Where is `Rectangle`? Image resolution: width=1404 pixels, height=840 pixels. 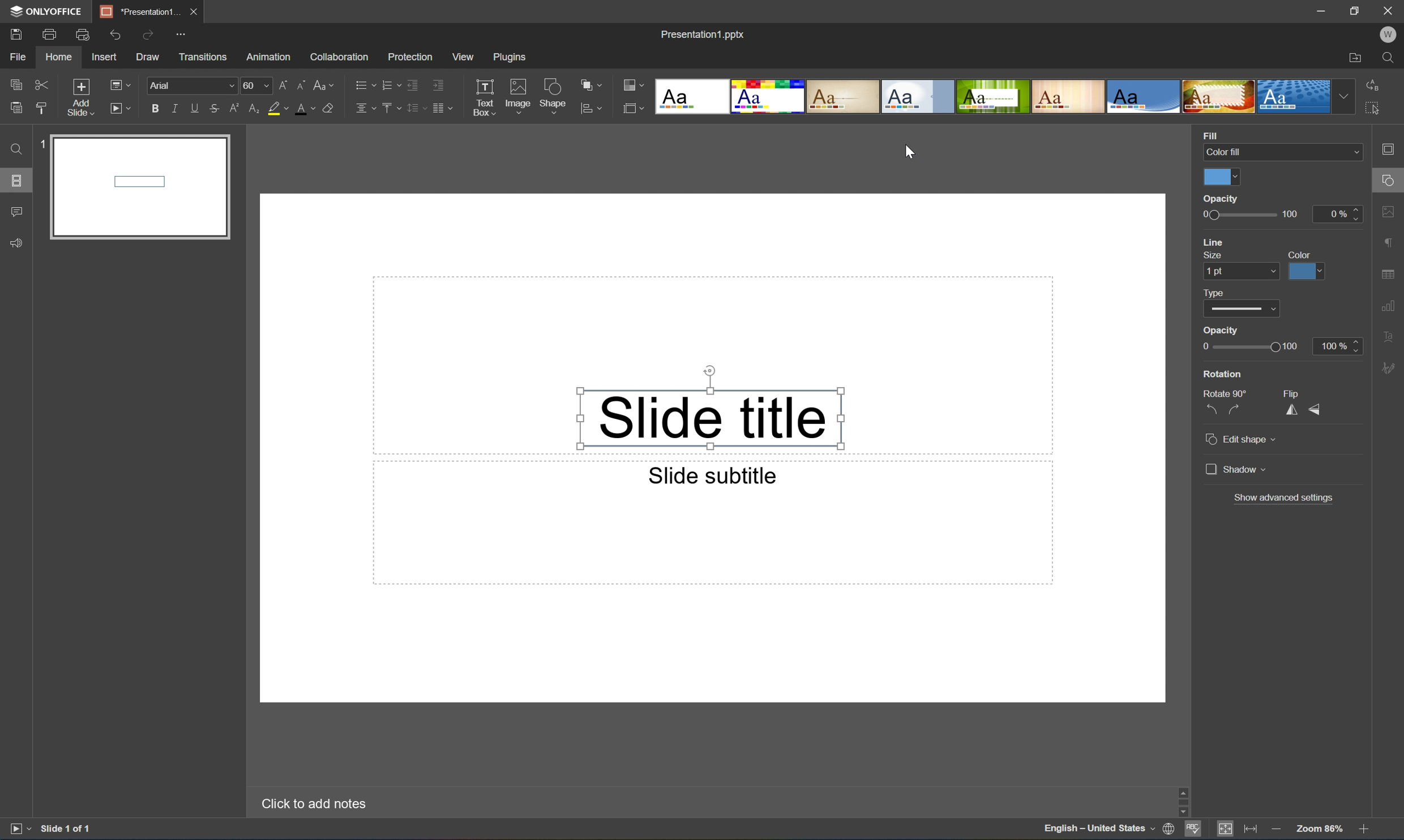 Rectangle is located at coordinates (710, 418).